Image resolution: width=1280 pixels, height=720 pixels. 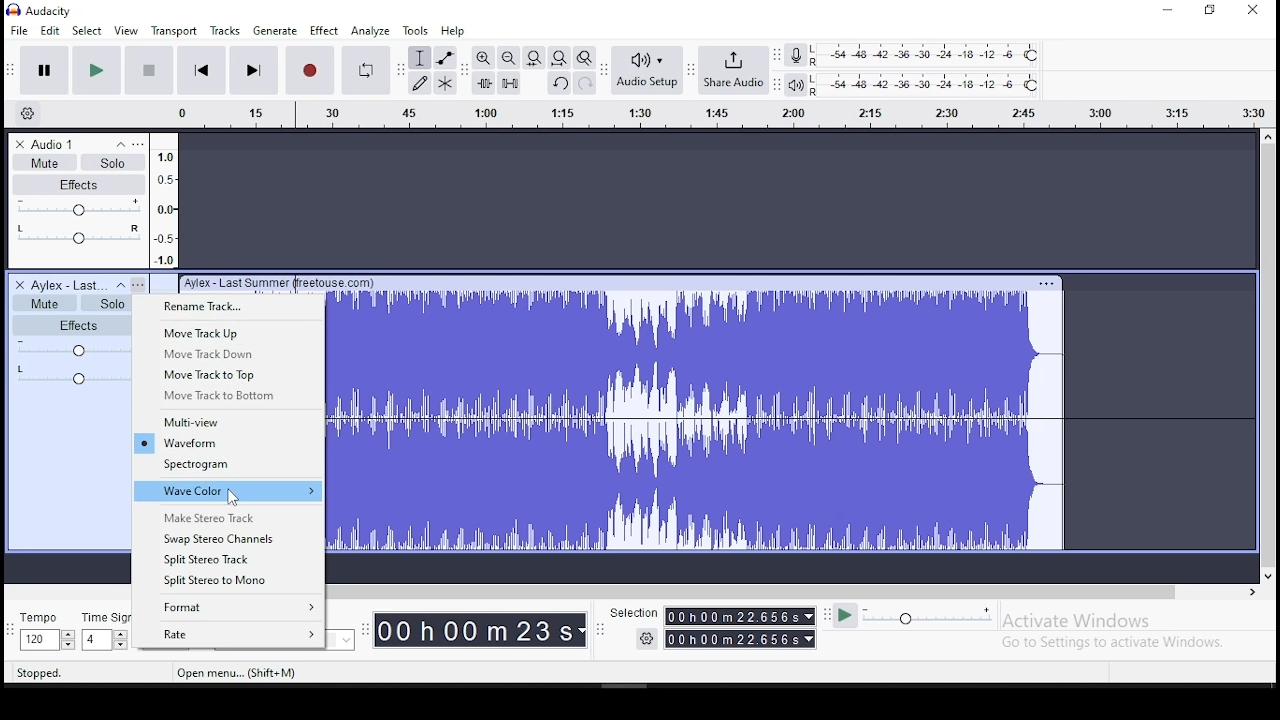 I want to click on split stereo to mono, so click(x=228, y=581).